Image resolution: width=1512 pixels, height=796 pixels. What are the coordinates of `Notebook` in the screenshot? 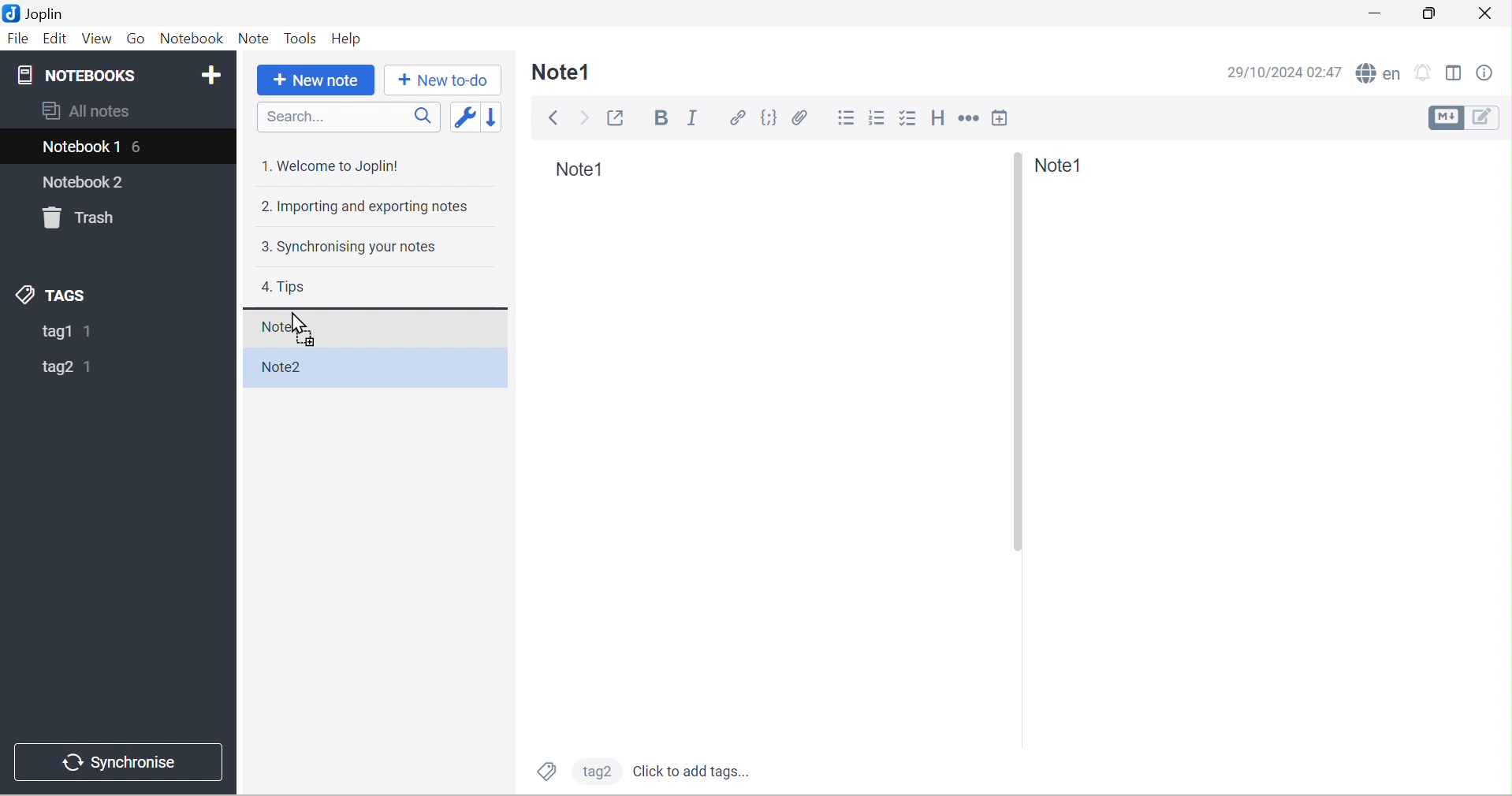 It's located at (192, 39).